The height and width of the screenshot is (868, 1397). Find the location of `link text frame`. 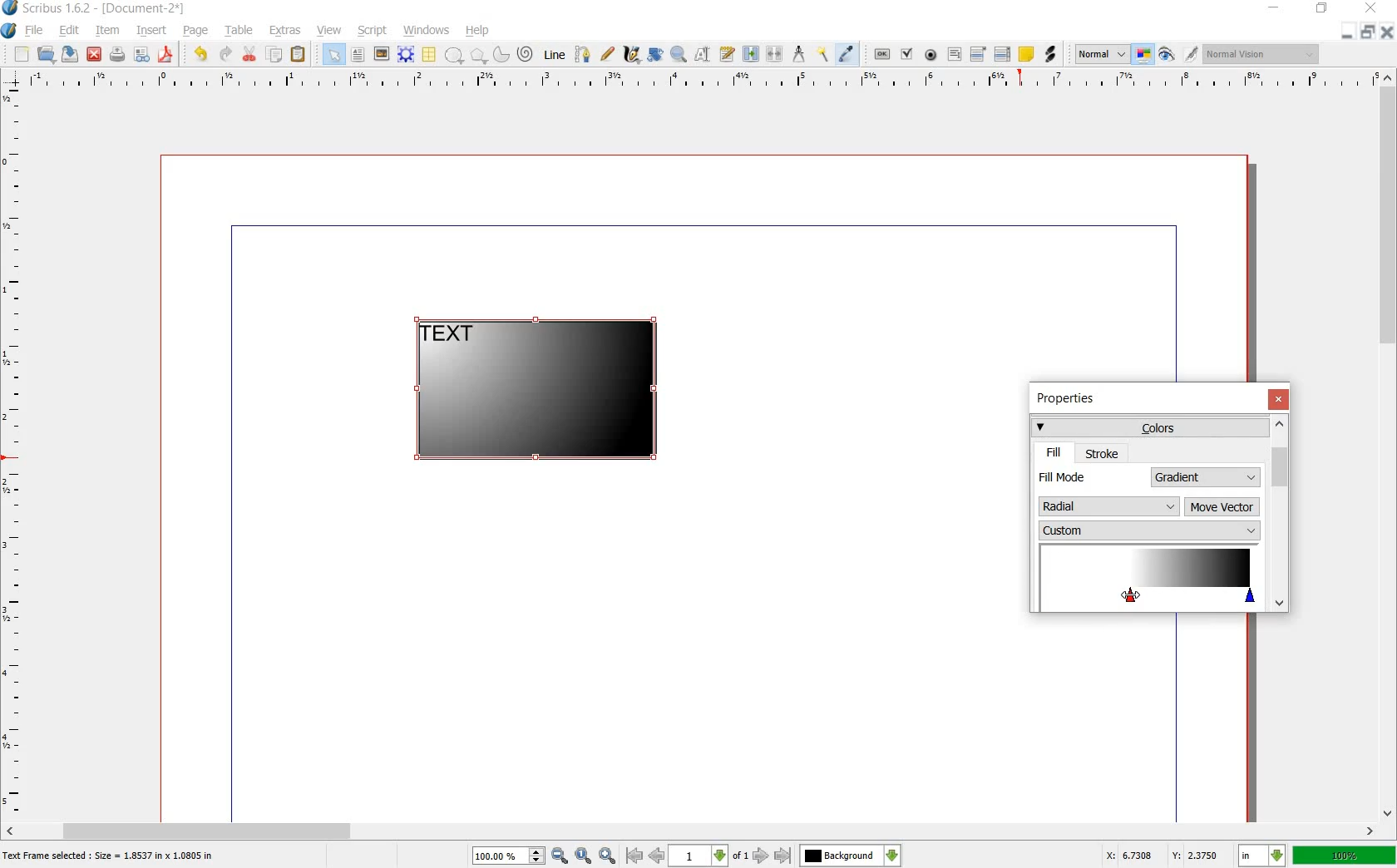

link text frame is located at coordinates (750, 55).